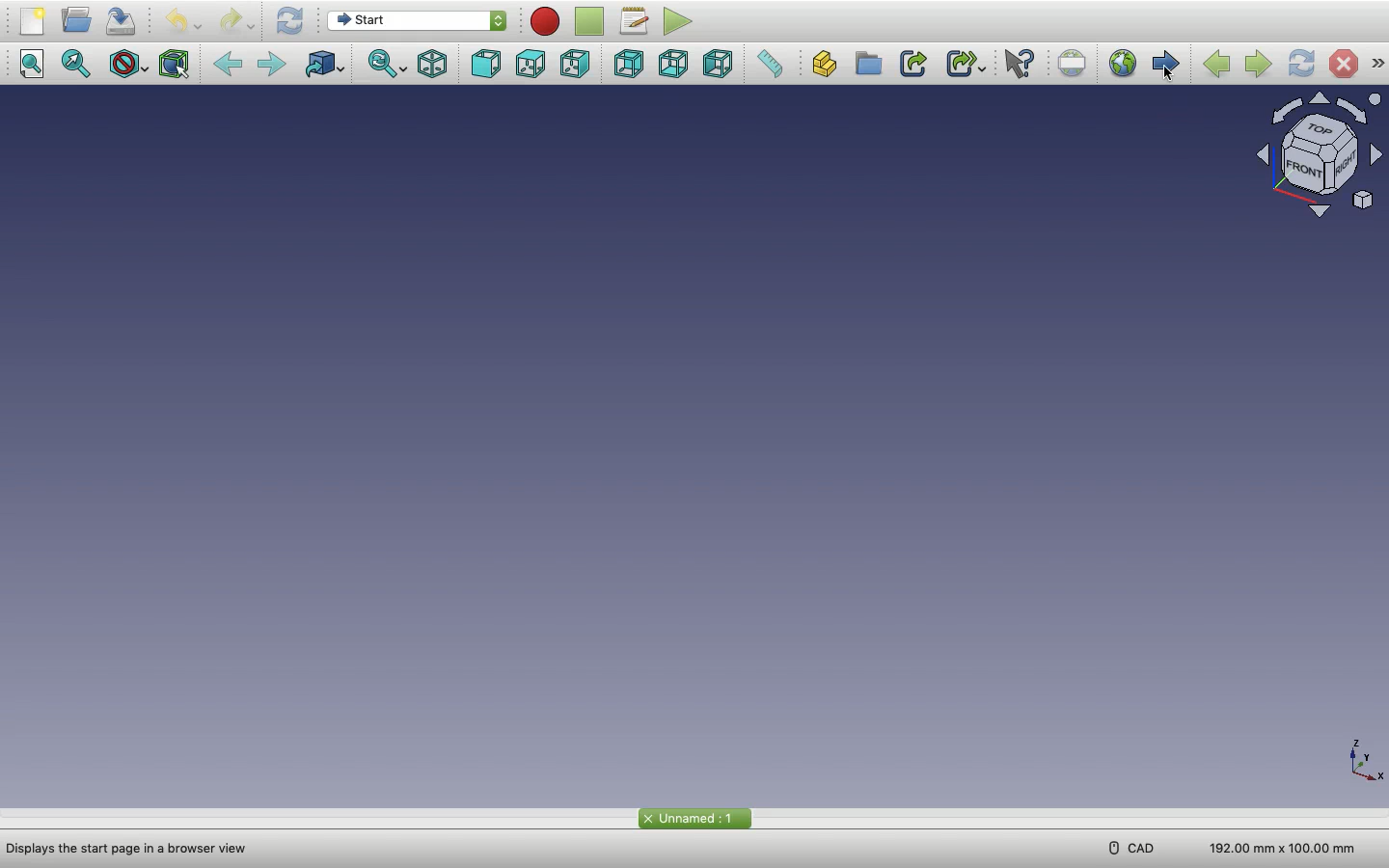  What do you see at coordinates (1258, 66) in the screenshot?
I see `Next page` at bounding box center [1258, 66].